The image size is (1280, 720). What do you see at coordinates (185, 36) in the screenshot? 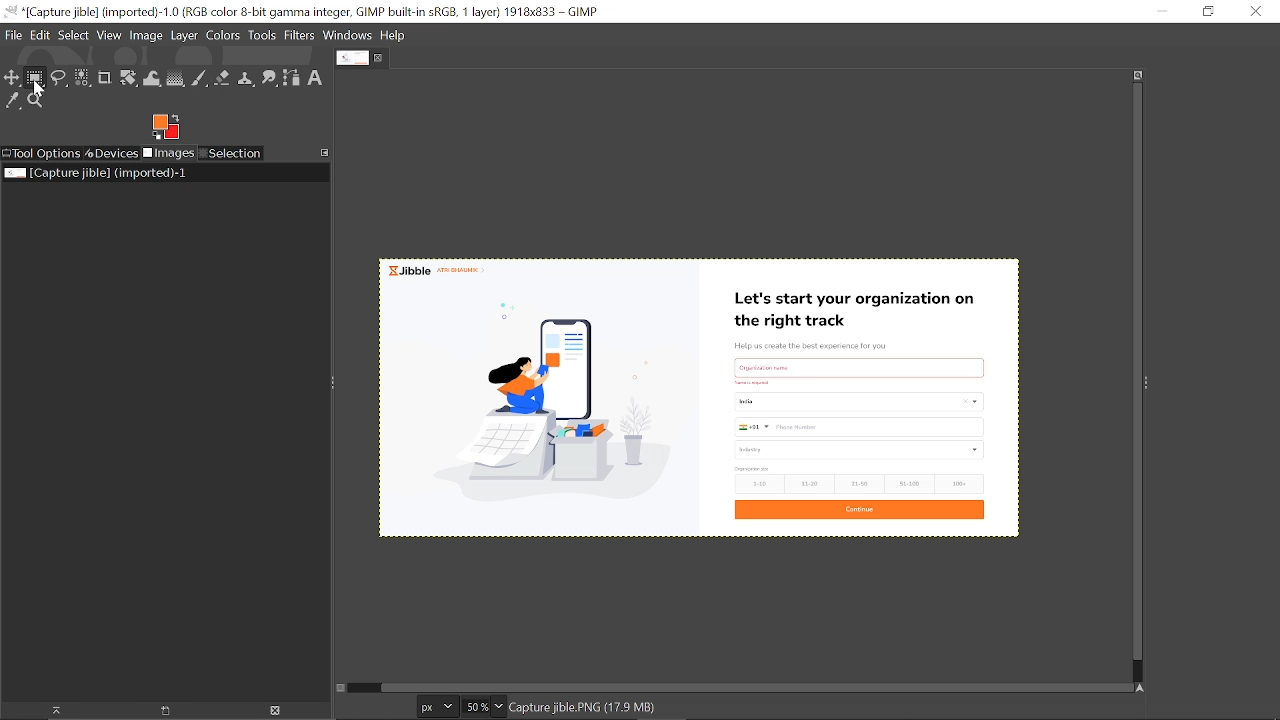
I see `Layer` at bounding box center [185, 36].